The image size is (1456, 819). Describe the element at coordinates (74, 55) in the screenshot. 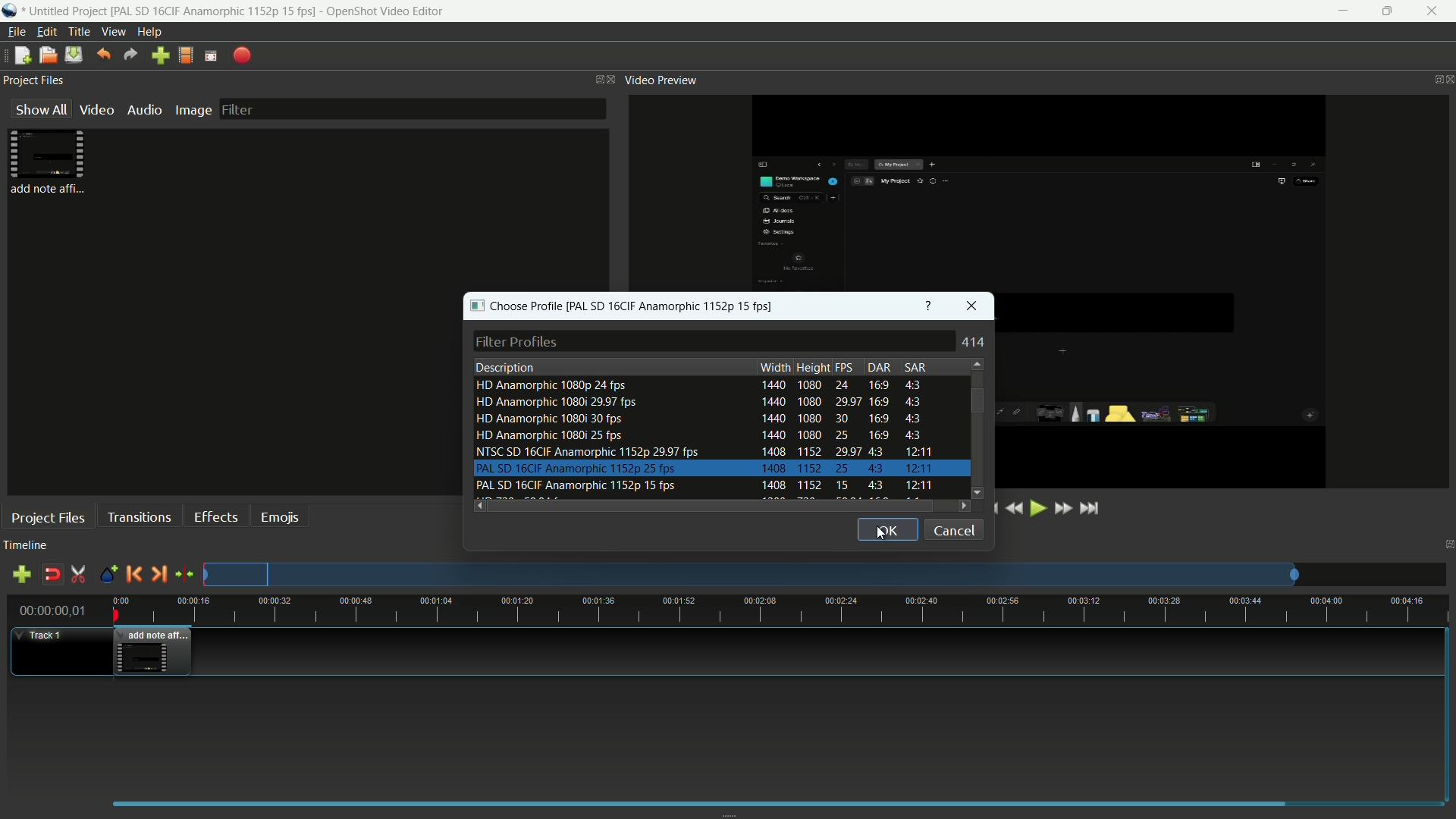

I see `save file` at that location.